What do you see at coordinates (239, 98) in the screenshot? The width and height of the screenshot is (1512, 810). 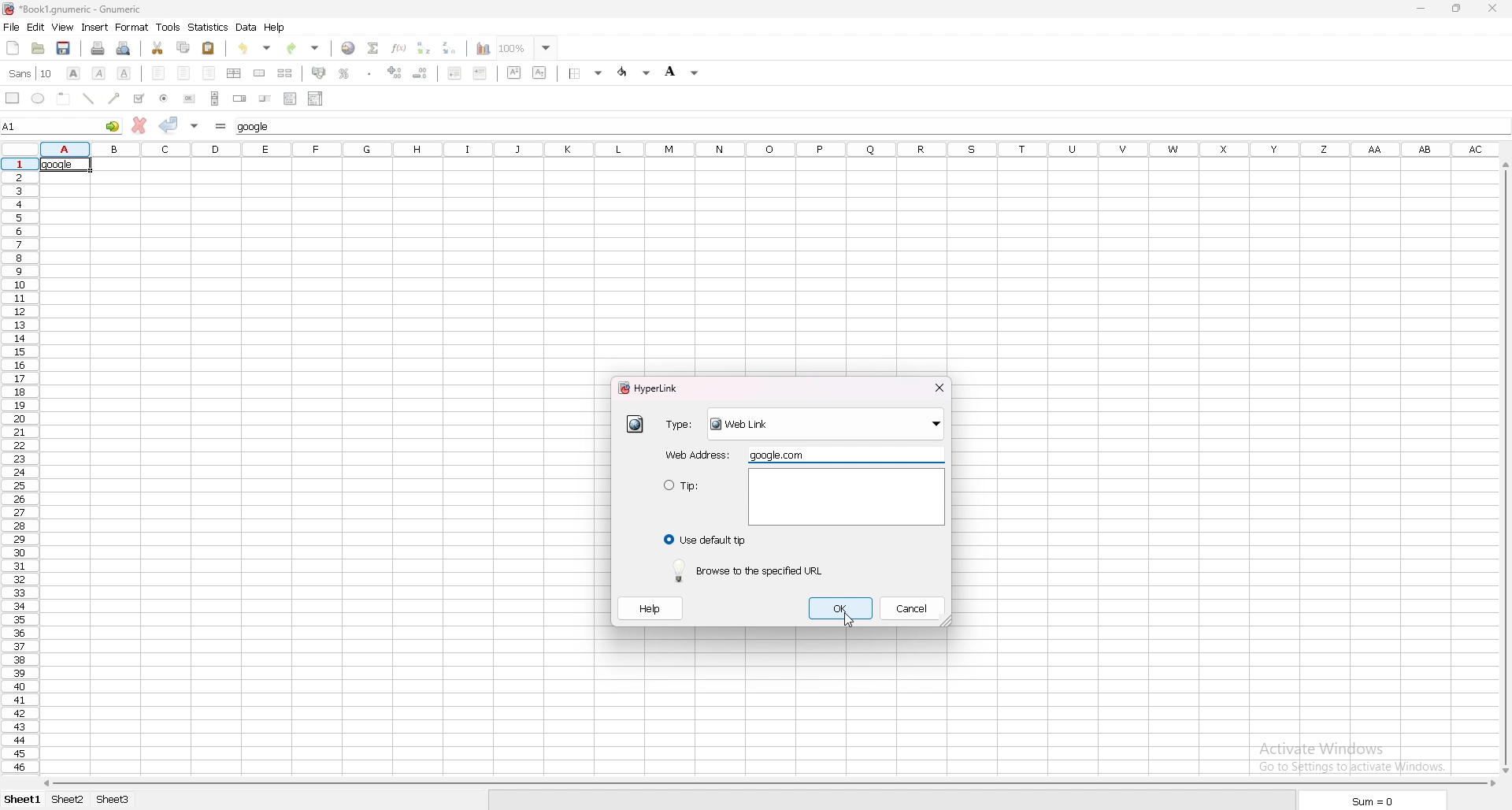 I see `spin button` at bounding box center [239, 98].